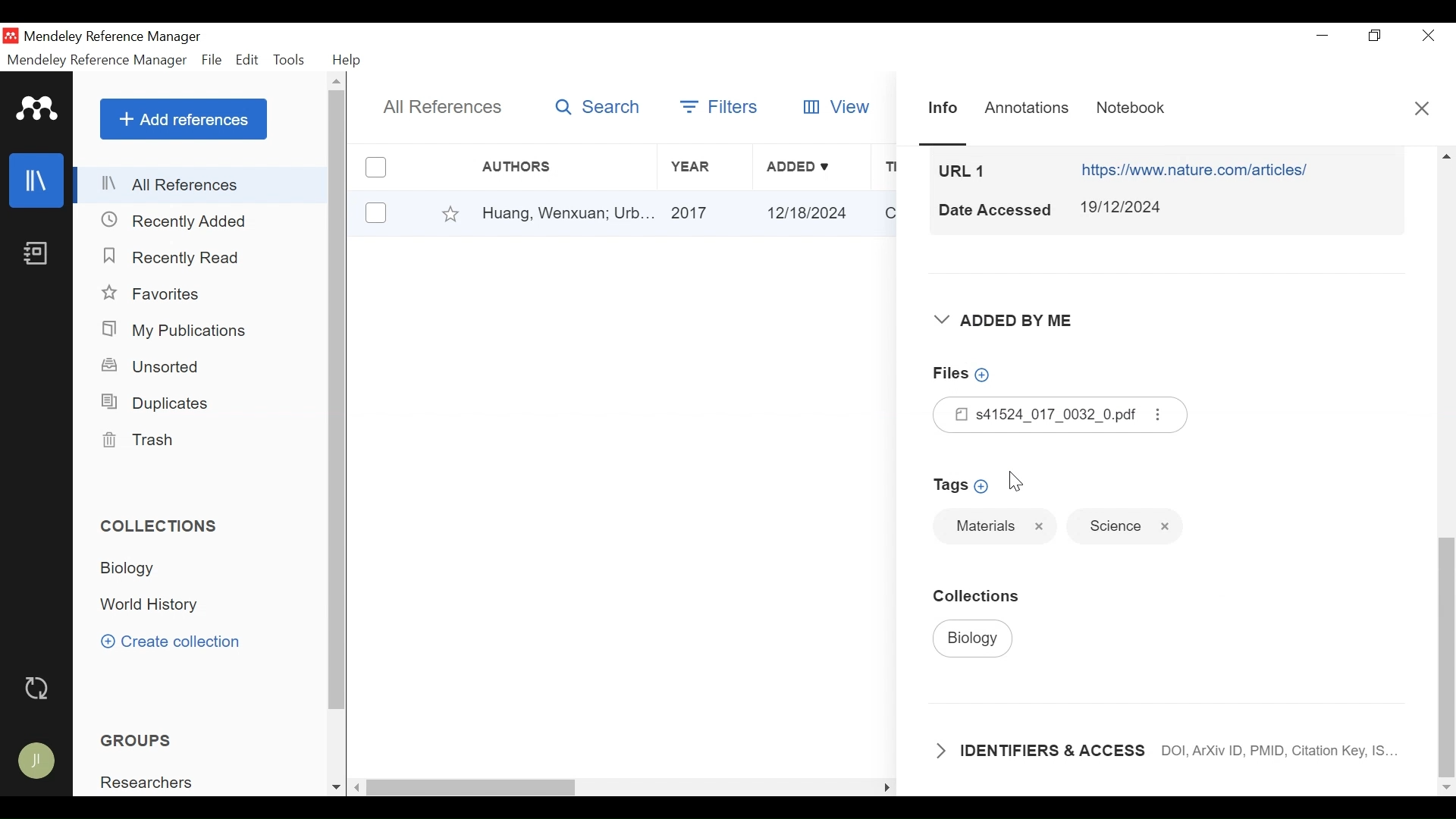 The image size is (1456, 819). What do you see at coordinates (720, 104) in the screenshot?
I see `Filters` at bounding box center [720, 104].